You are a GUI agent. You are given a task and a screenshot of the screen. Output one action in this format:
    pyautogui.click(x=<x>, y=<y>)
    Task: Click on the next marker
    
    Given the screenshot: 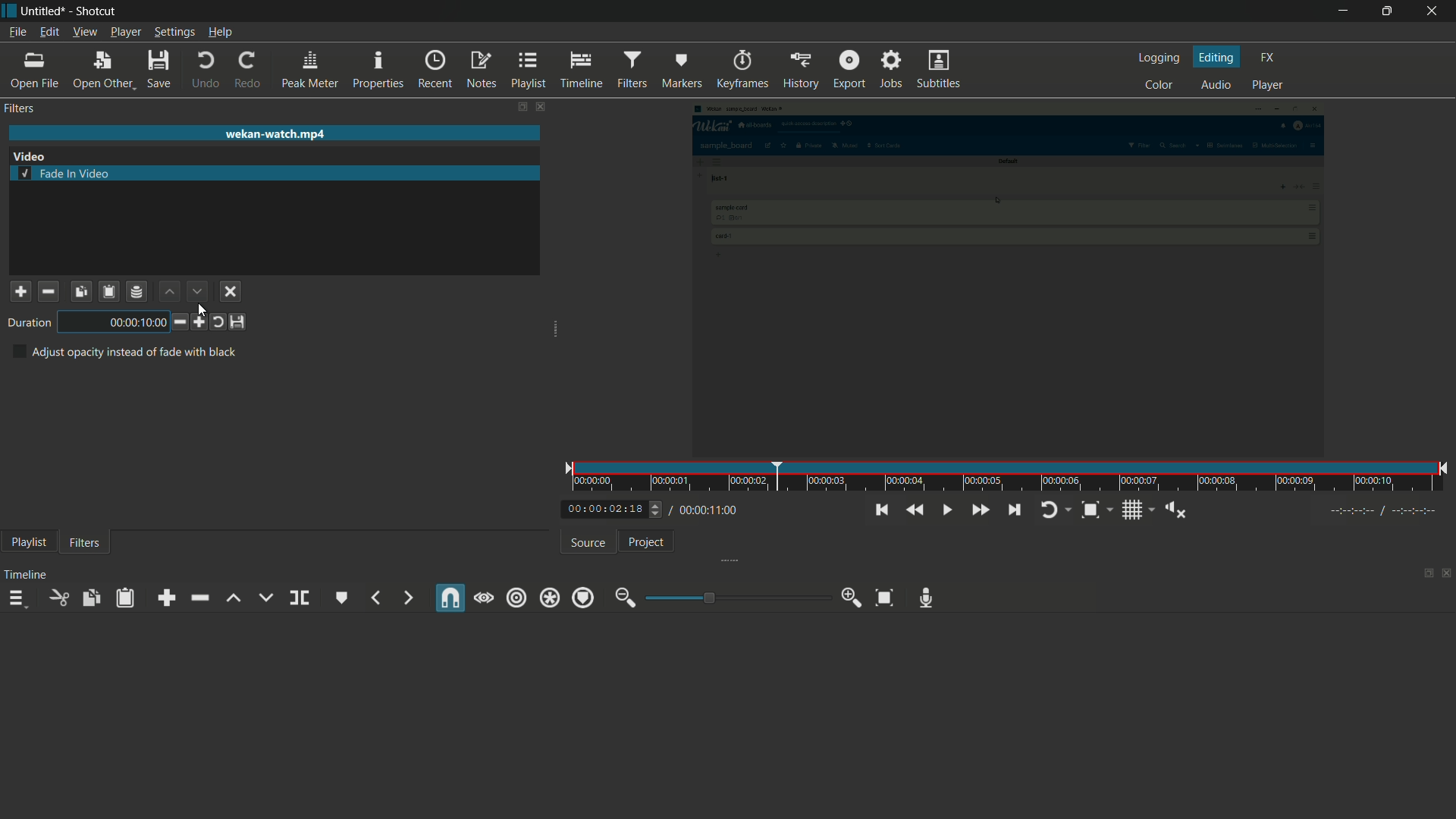 What is the action you would take?
    pyautogui.click(x=404, y=598)
    